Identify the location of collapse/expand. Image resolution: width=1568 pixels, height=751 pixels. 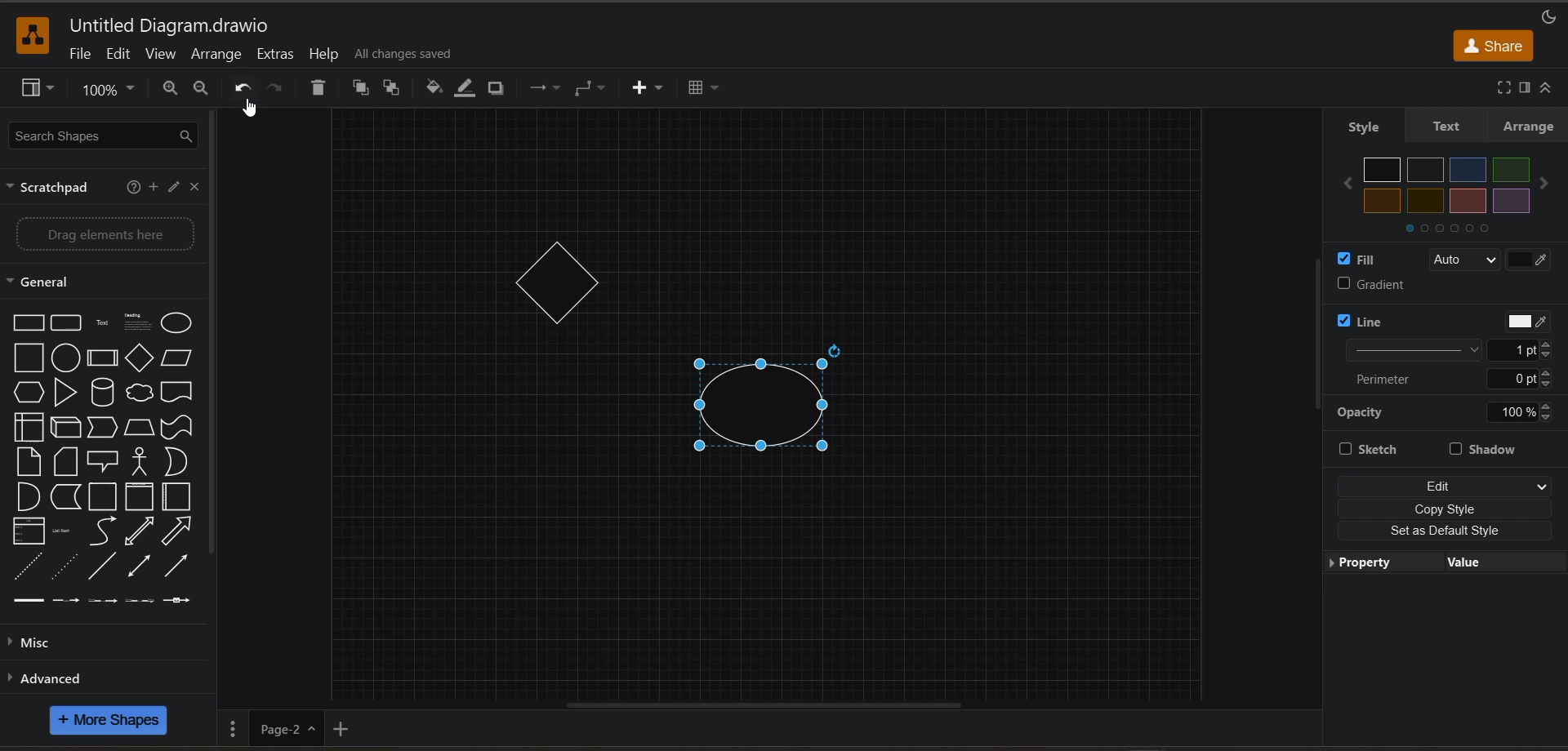
(1549, 86).